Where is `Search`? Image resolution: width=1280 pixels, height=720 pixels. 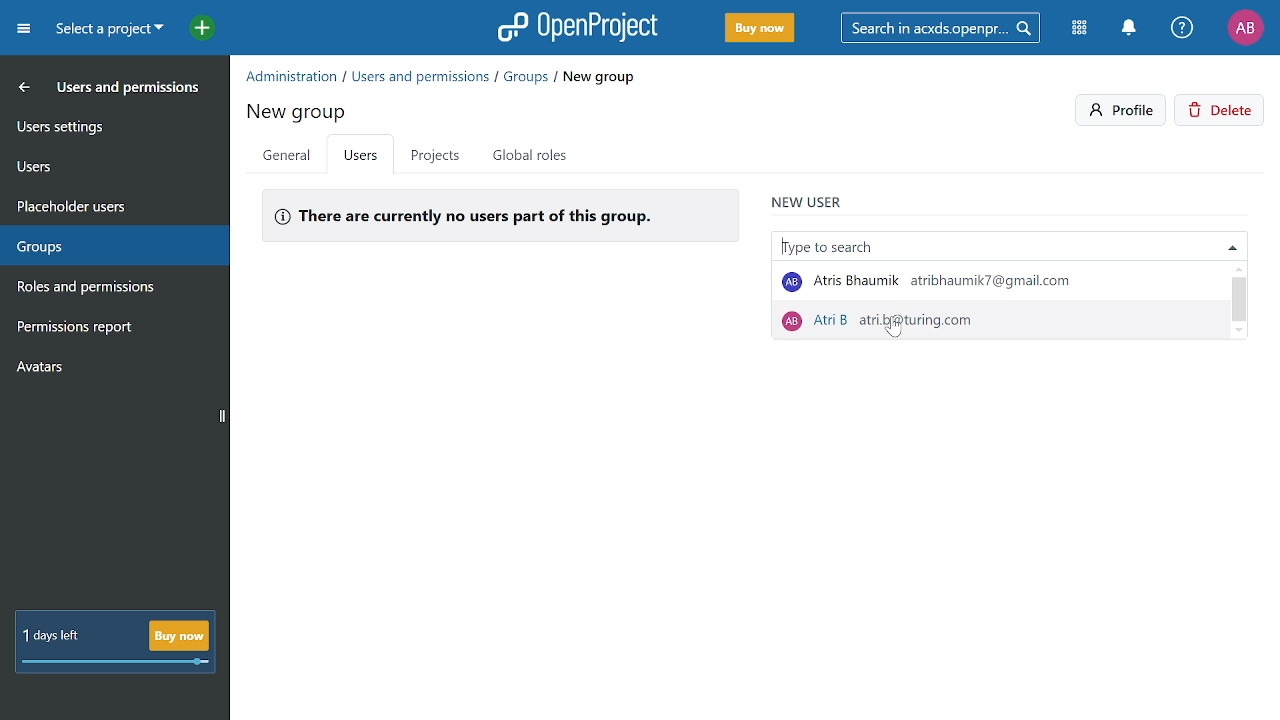 Search is located at coordinates (947, 27).